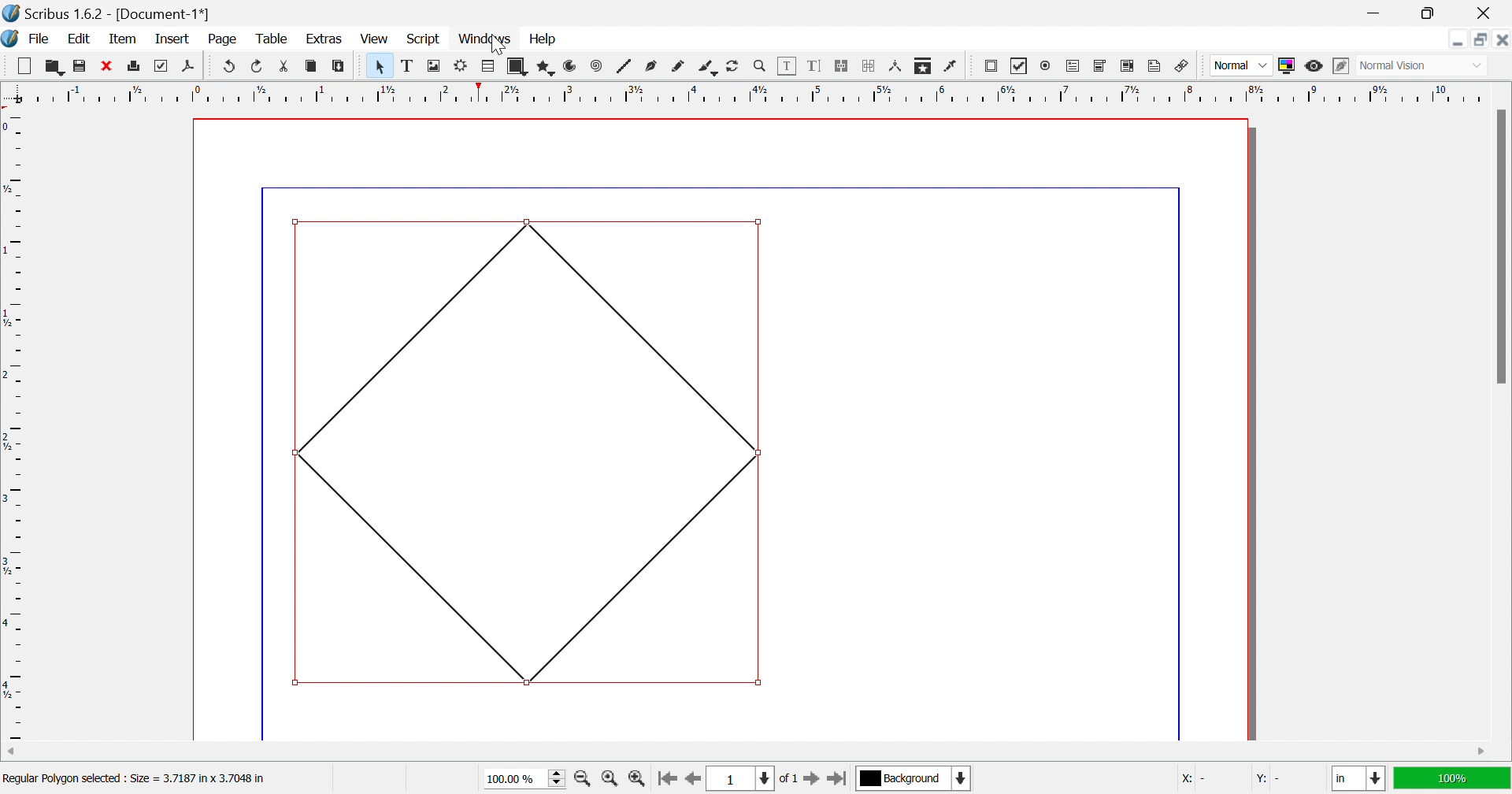 Image resolution: width=1512 pixels, height=794 pixels. Describe the element at coordinates (1194, 781) in the screenshot. I see `x: -` at that location.